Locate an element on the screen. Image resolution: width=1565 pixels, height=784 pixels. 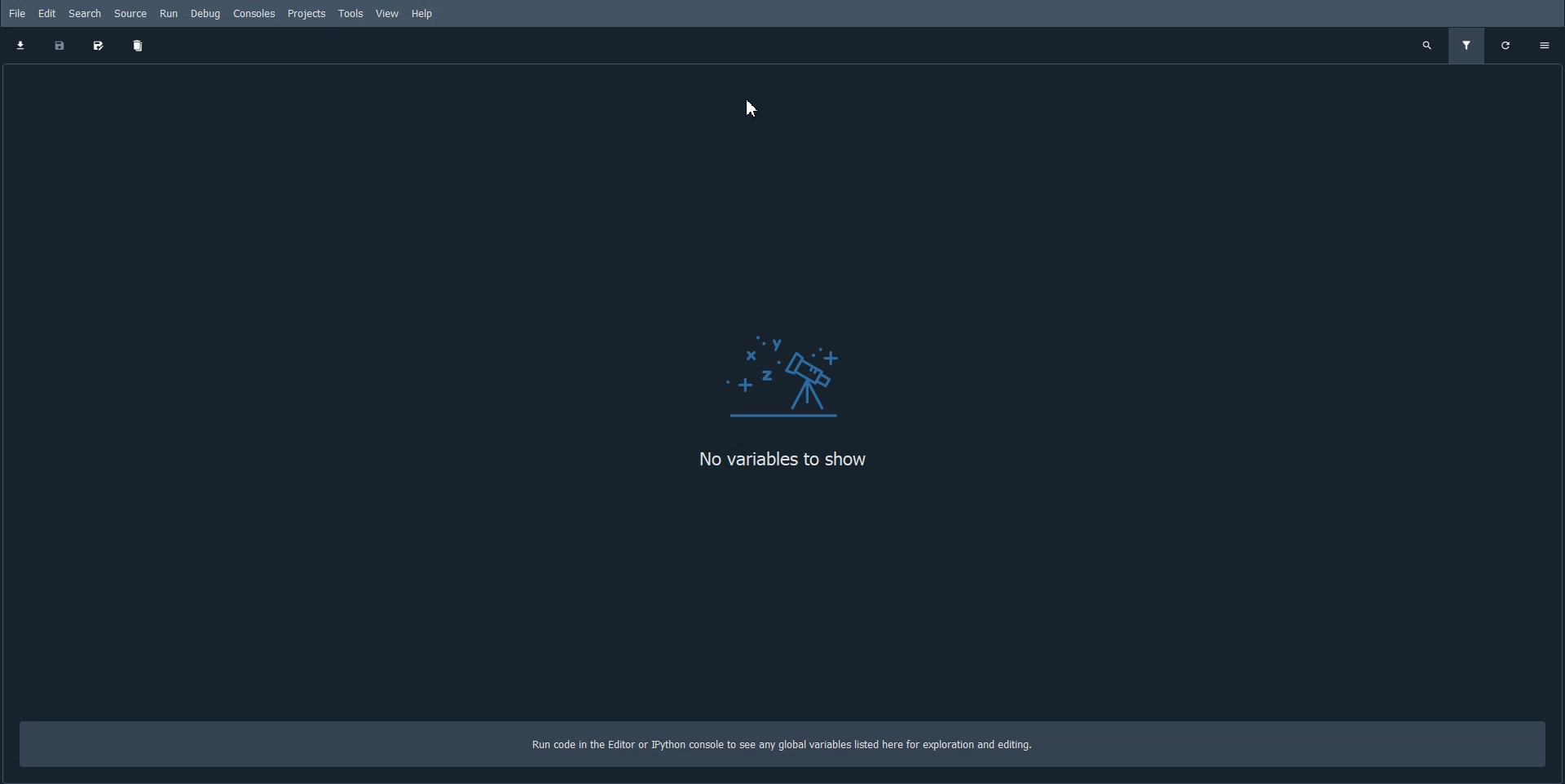
Options is located at coordinates (1546, 45).